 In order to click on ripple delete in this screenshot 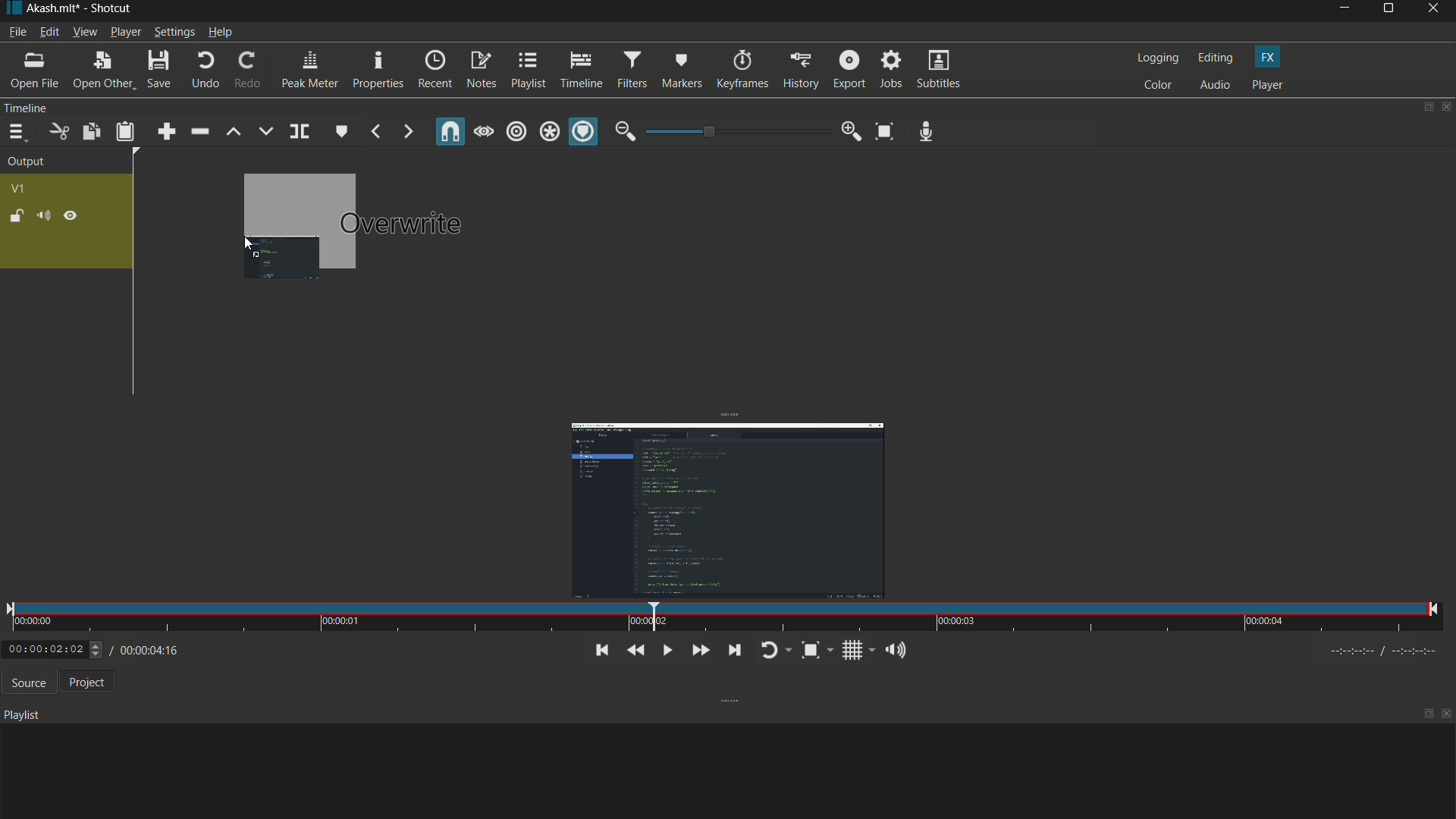, I will do `click(199, 131)`.